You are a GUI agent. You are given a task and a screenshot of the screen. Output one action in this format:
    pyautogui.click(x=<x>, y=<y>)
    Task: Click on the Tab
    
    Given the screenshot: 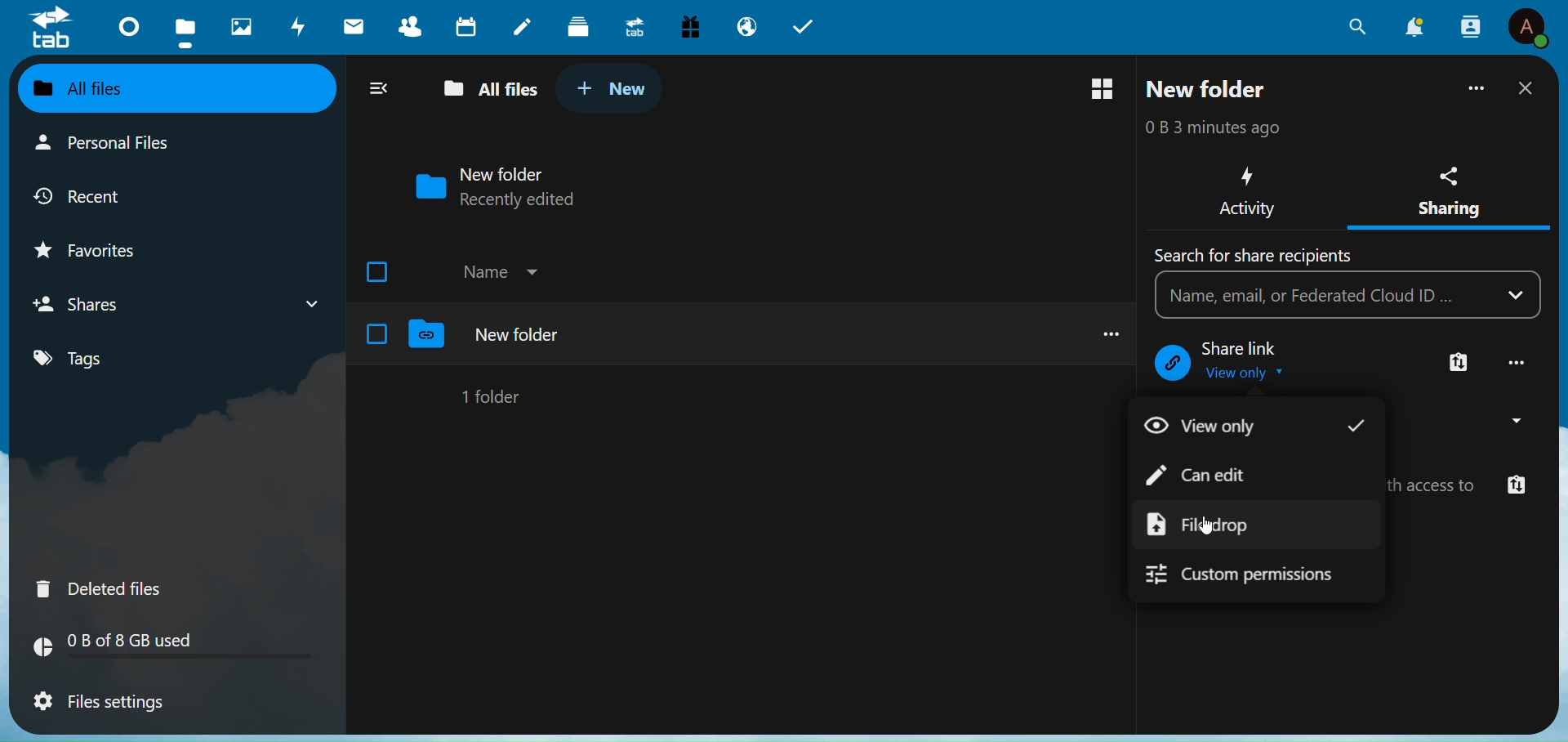 What is the action you would take?
    pyautogui.click(x=809, y=25)
    